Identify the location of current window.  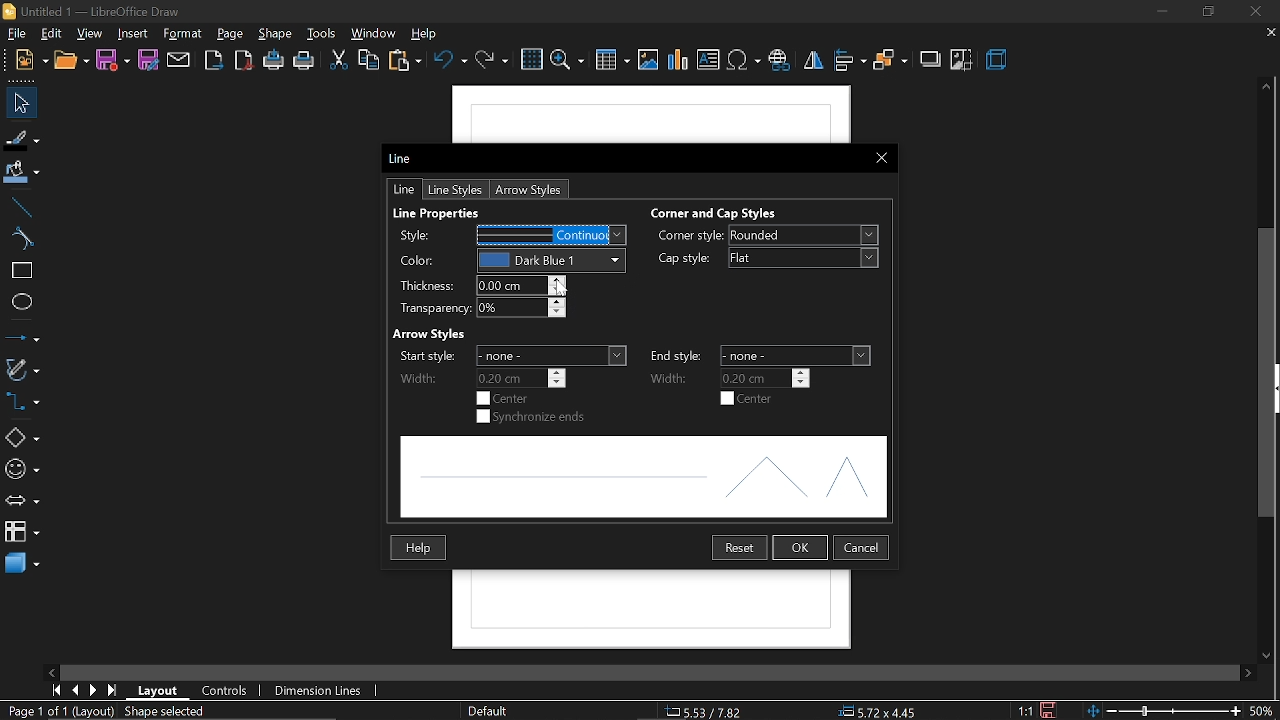
(90, 10).